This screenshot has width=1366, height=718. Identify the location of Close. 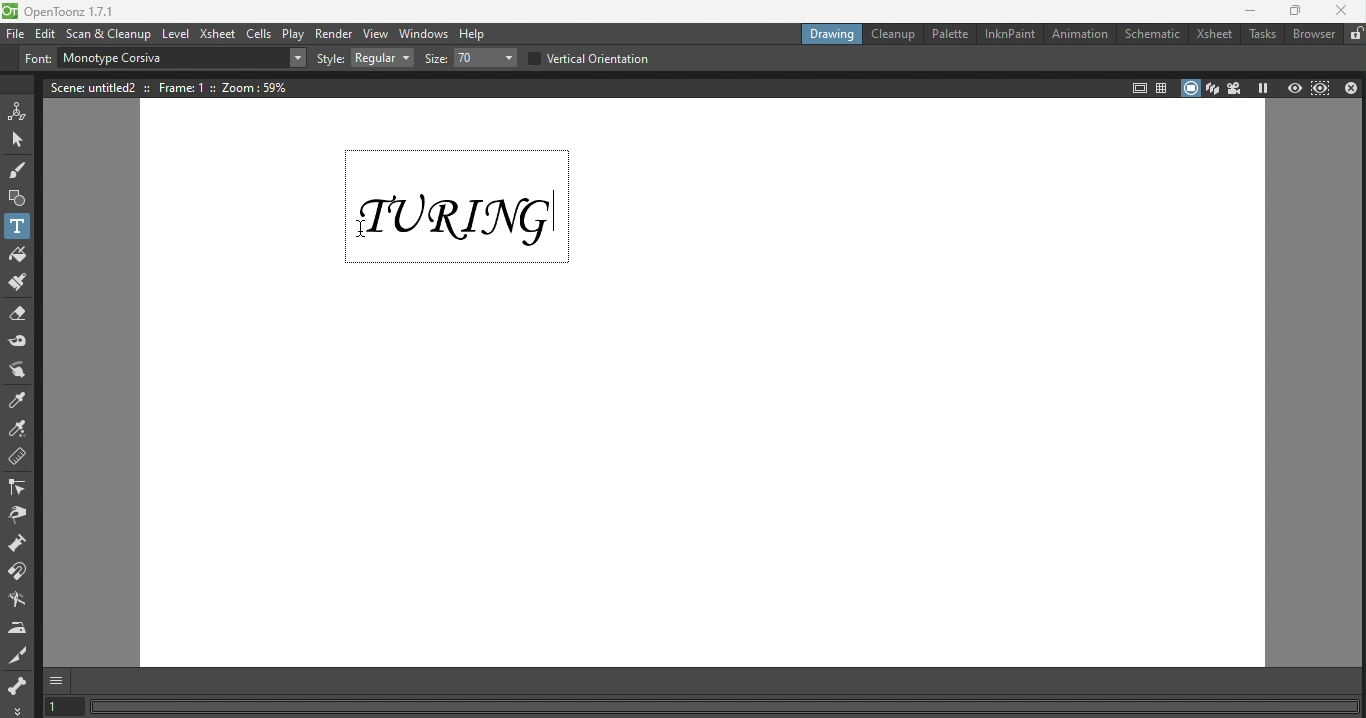
(1344, 12).